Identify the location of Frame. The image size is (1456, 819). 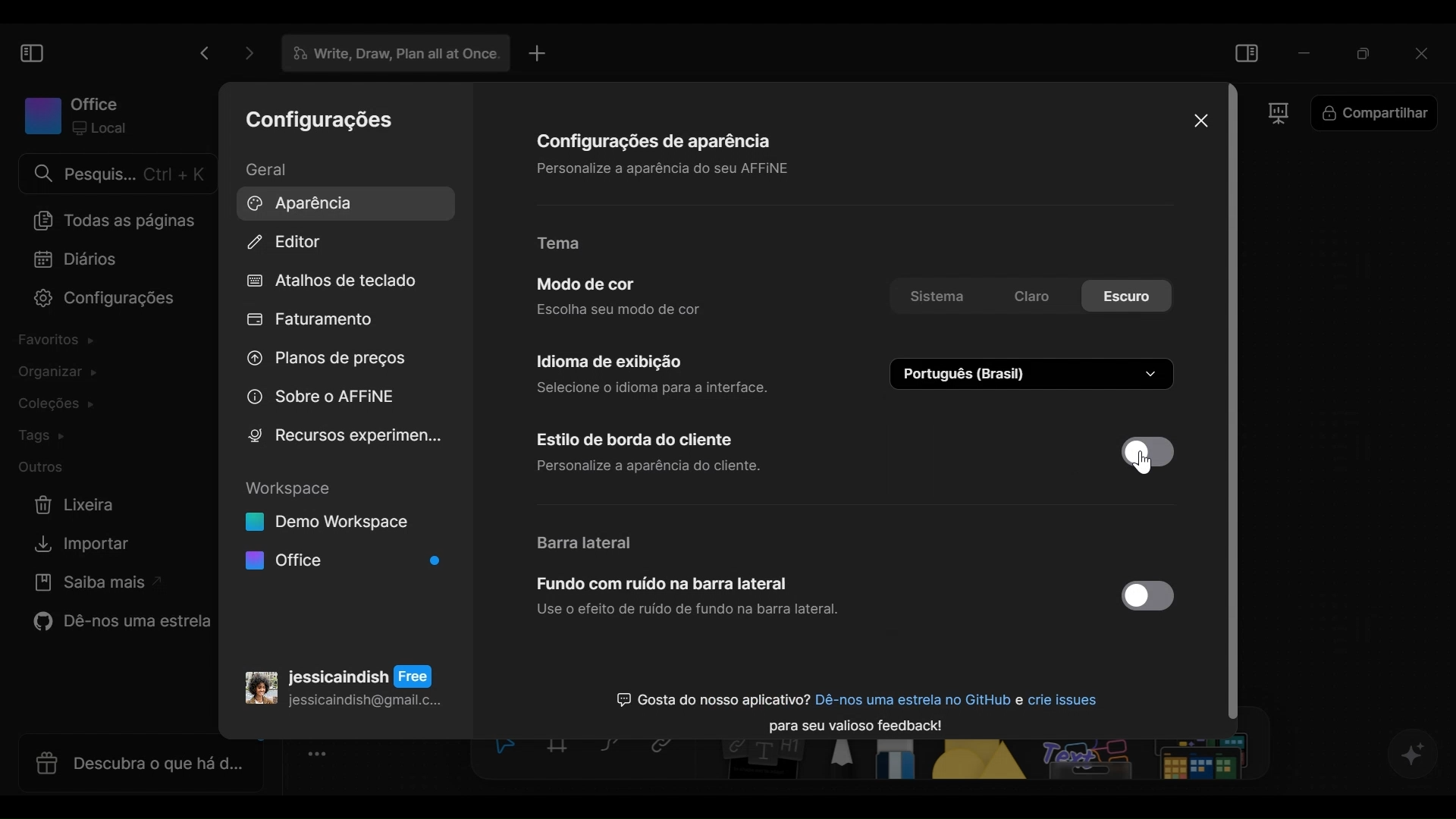
(1278, 117).